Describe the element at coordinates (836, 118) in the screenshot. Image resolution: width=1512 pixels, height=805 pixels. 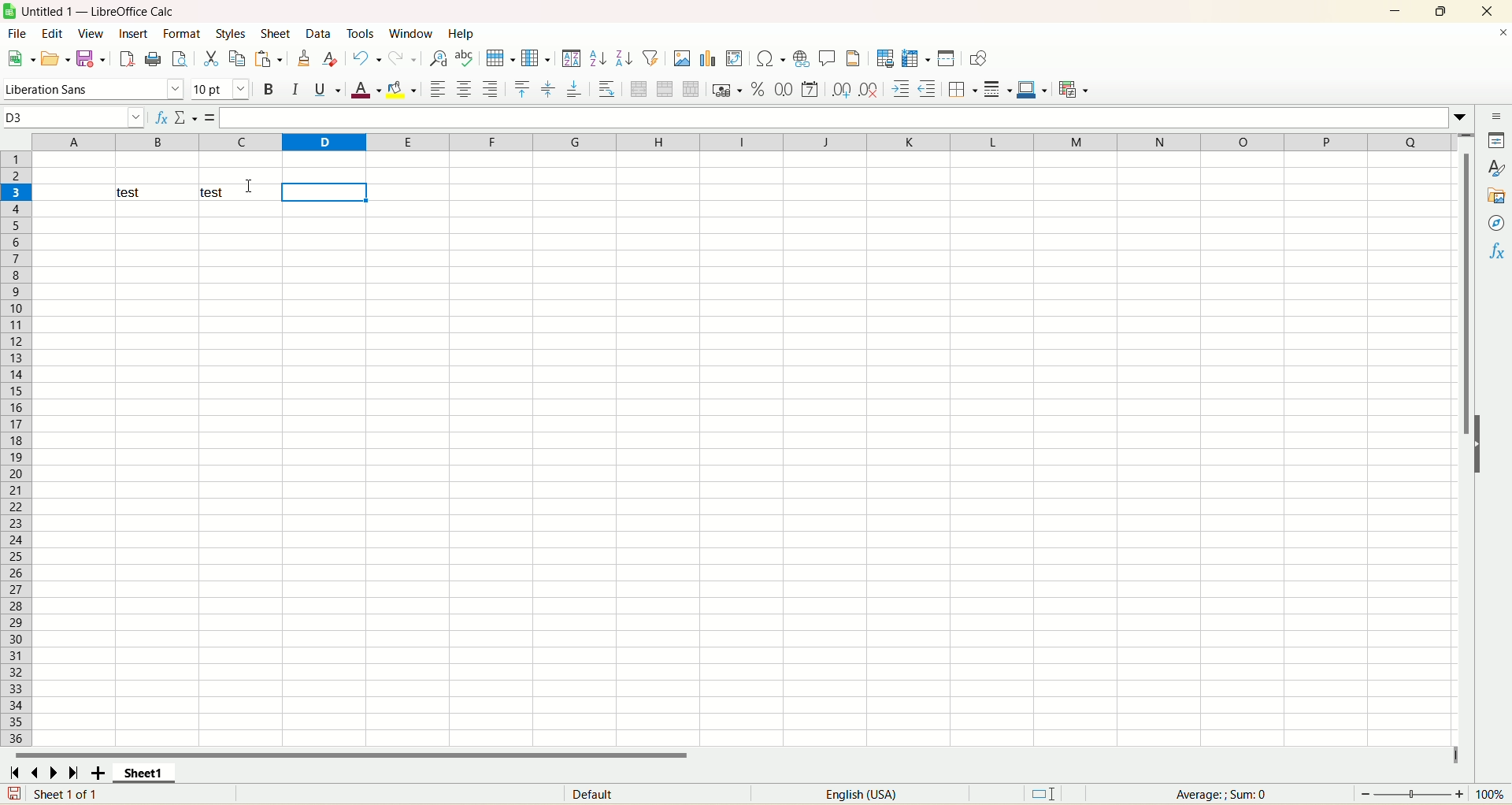
I see `Input line` at that location.